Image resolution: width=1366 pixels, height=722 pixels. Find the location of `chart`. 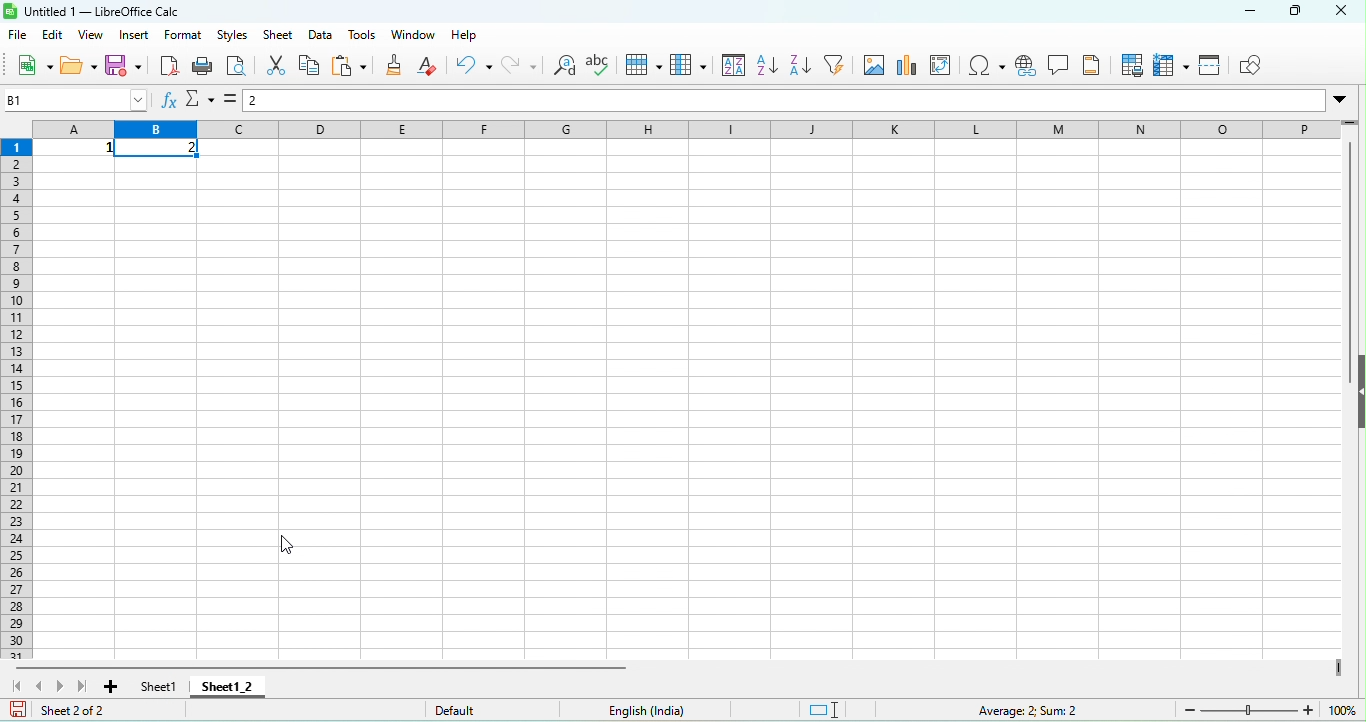

chart is located at coordinates (909, 68).